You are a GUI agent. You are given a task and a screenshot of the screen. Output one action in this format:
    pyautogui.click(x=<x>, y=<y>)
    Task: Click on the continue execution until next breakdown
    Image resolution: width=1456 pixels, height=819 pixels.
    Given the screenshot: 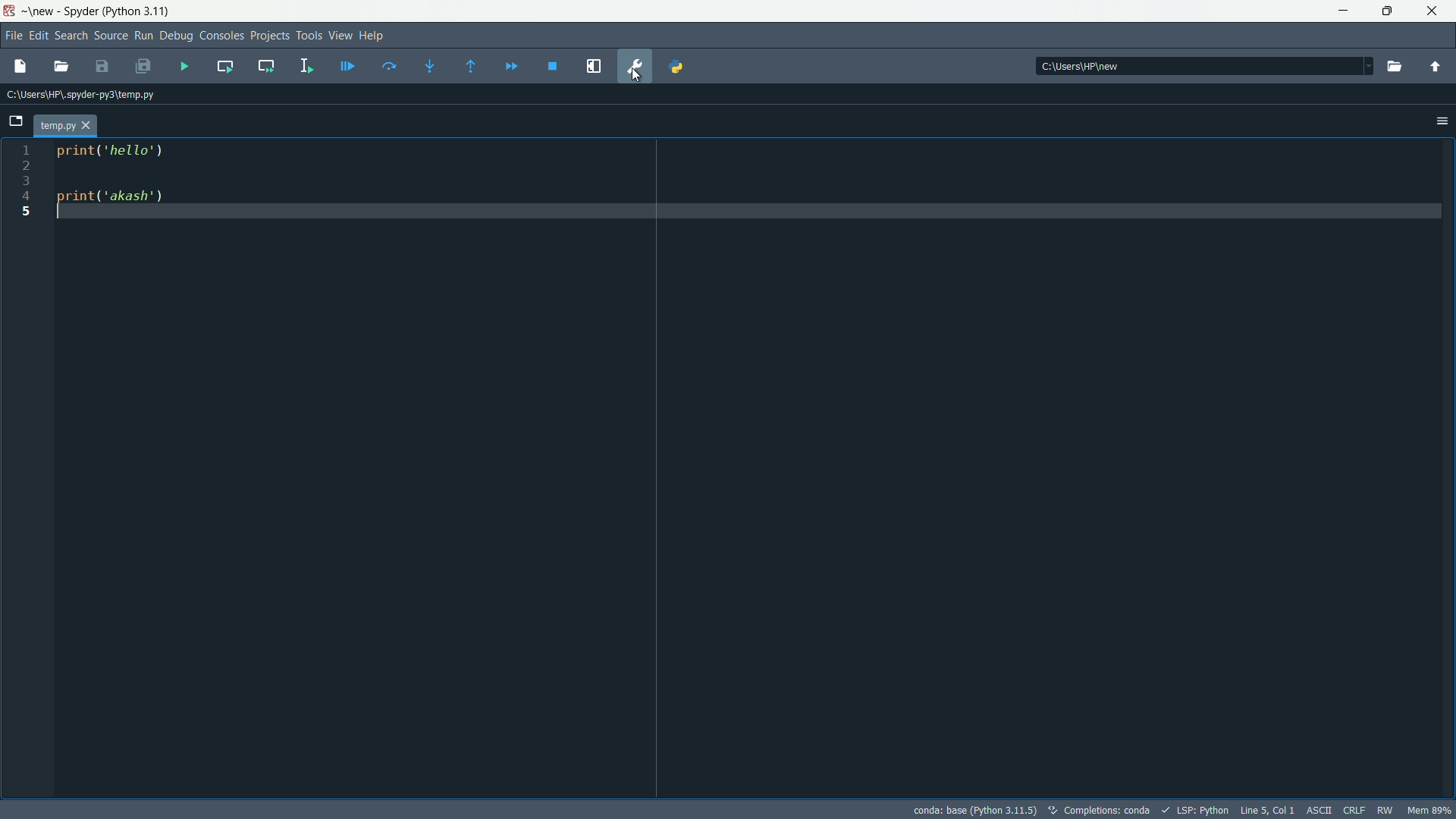 What is the action you would take?
    pyautogui.click(x=512, y=67)
    